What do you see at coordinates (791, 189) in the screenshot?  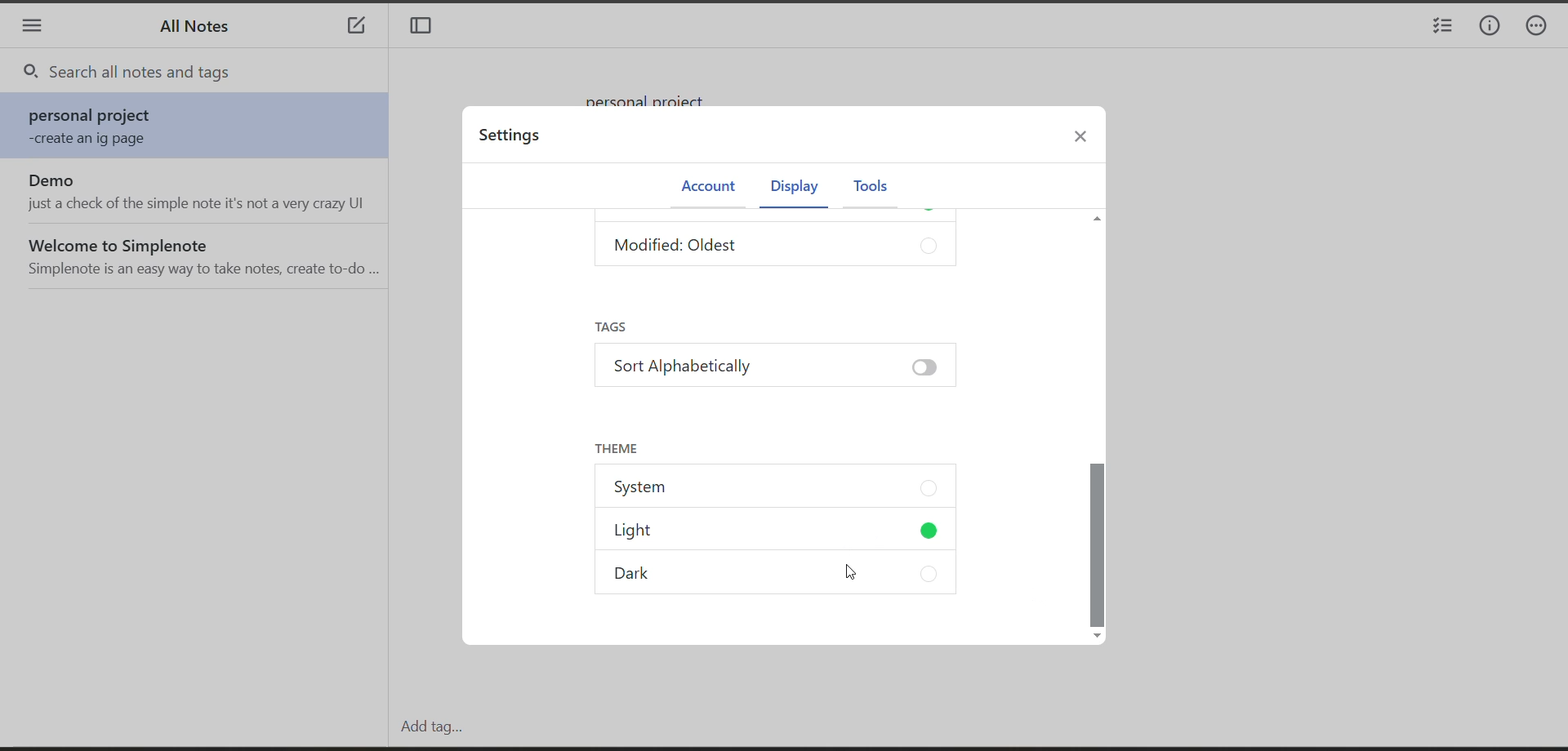 I see `display` at bounding box center [791, 189].